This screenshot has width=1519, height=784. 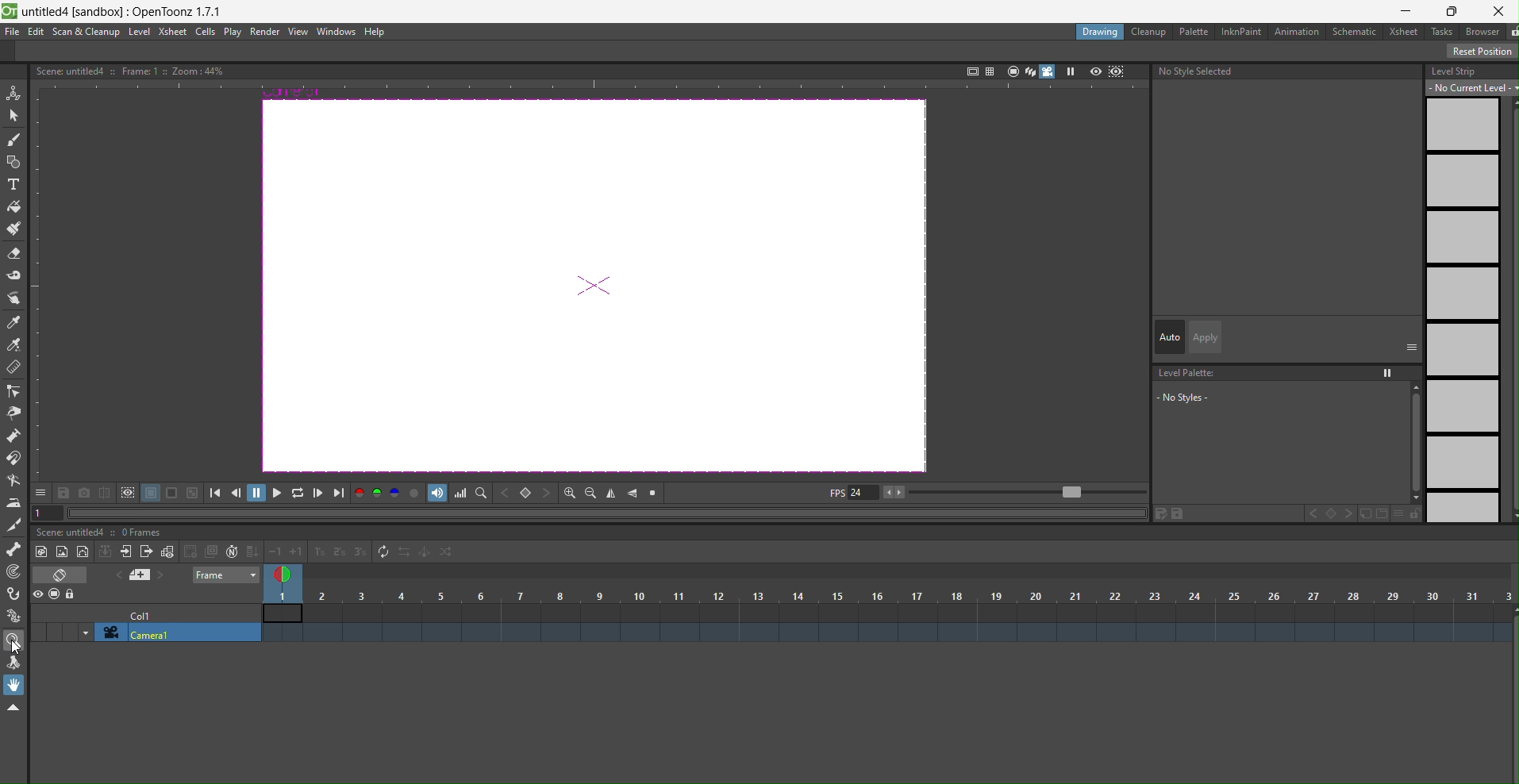 What do you see at coordinates (10, 10) in the screenshot?
I see `logo` at bounding box center [10, 10].